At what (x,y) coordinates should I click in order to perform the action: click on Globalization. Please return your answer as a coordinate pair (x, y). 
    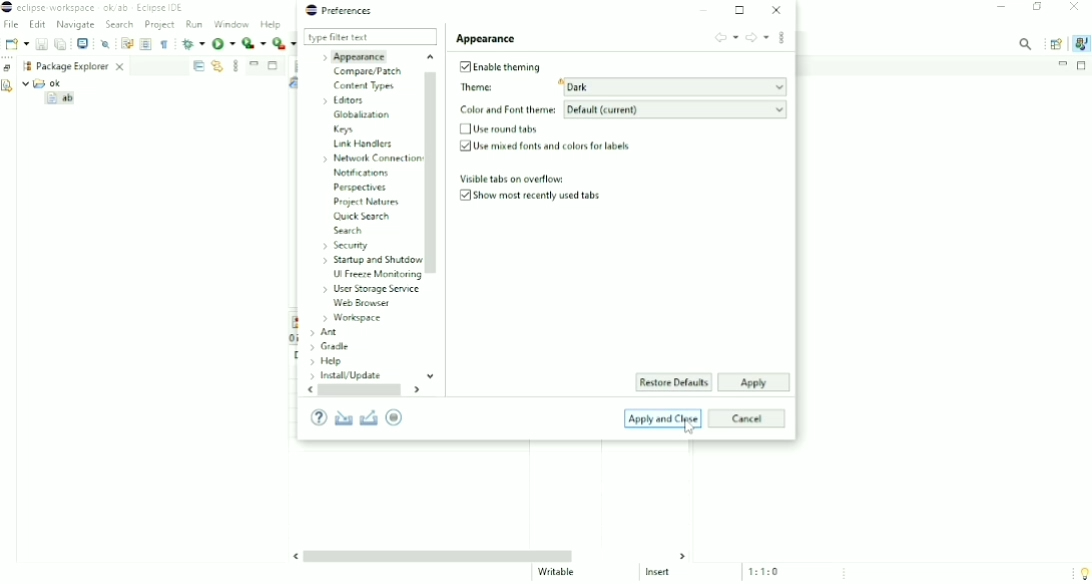
    Looking at the image, I should click on (362, 114).